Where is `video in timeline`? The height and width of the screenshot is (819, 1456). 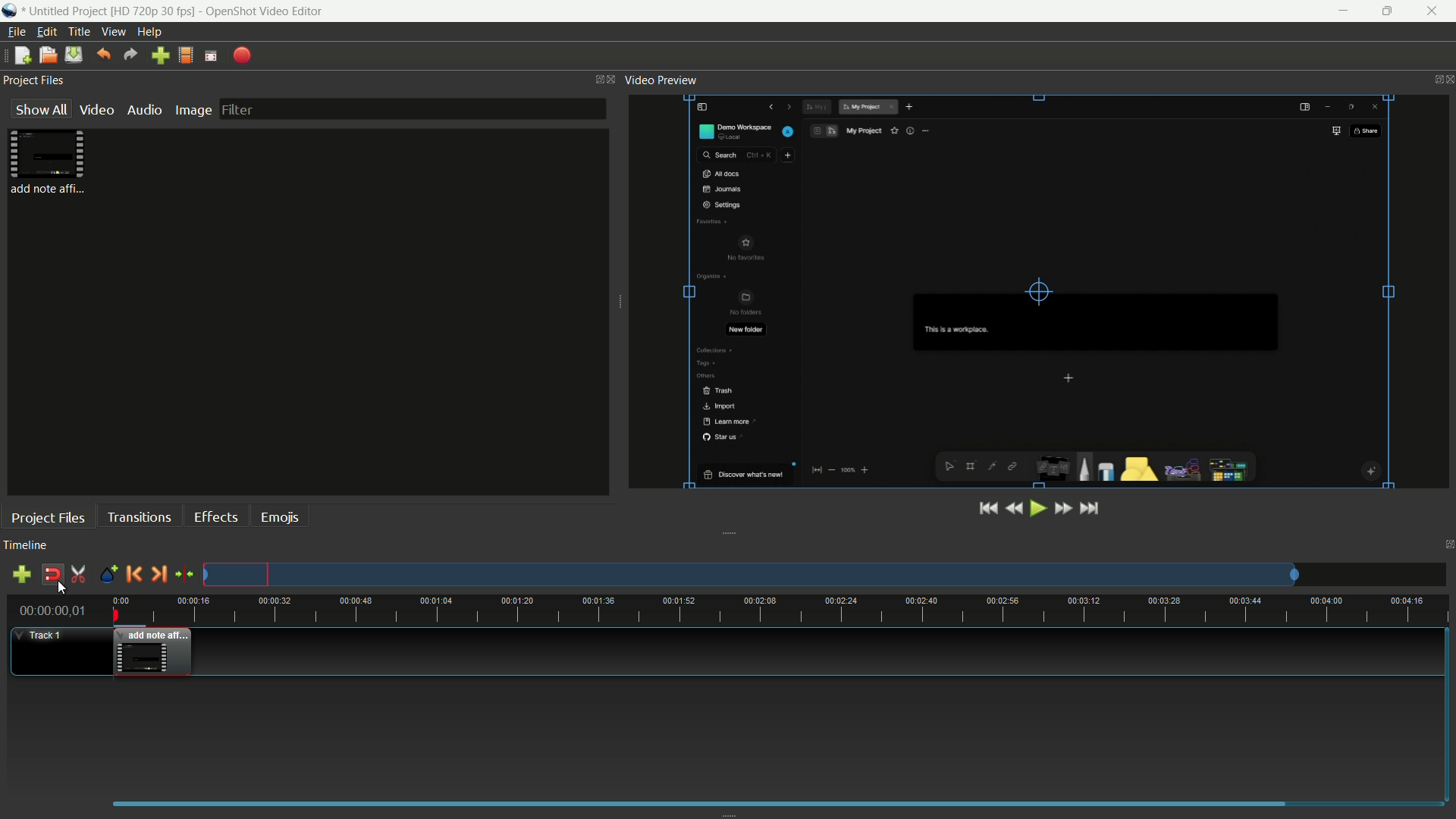 video in timeline is located at coordinates (152, 652).